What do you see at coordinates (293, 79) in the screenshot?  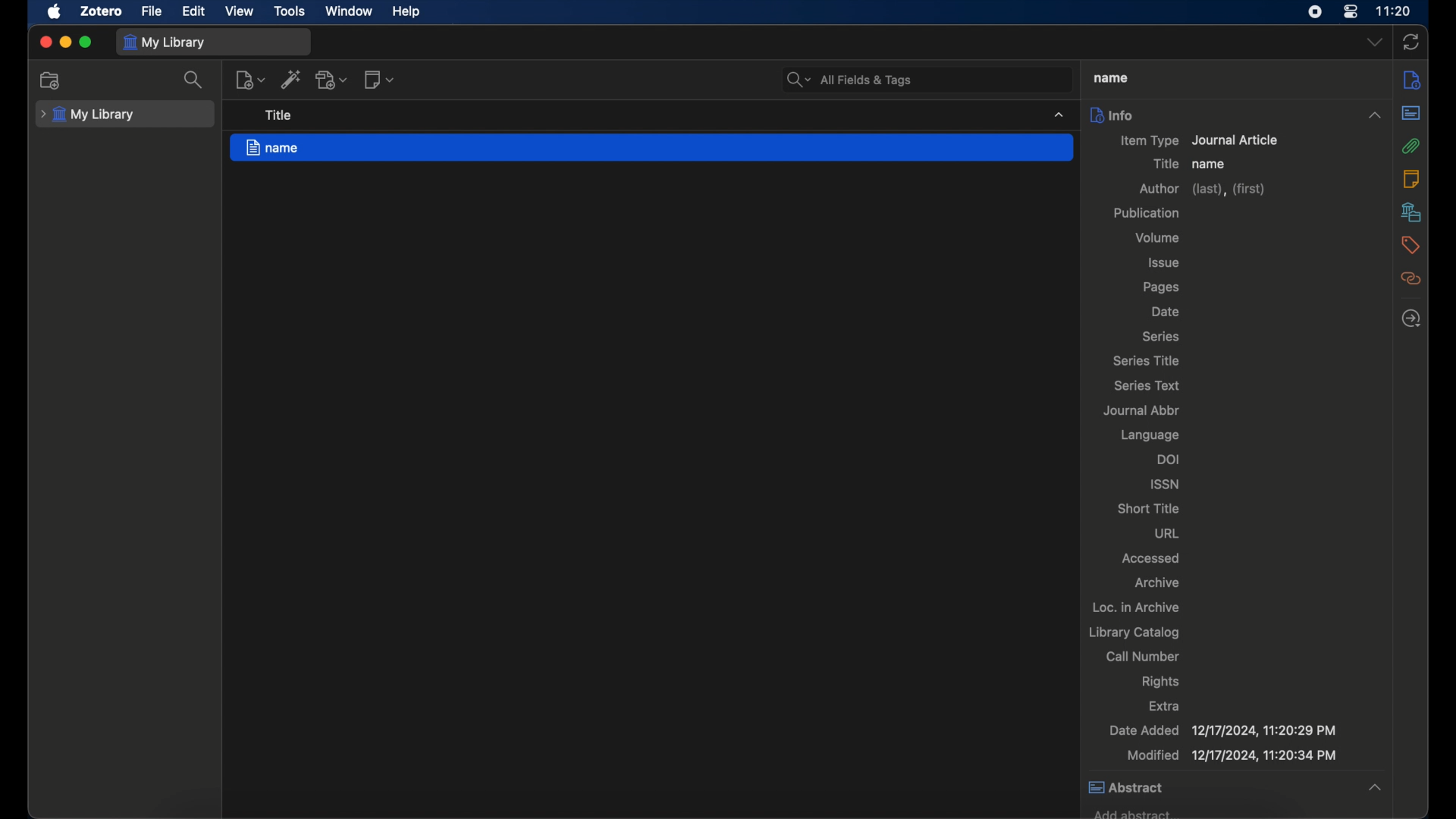 I see `add item by identifier` at bounding box center [293, 79].